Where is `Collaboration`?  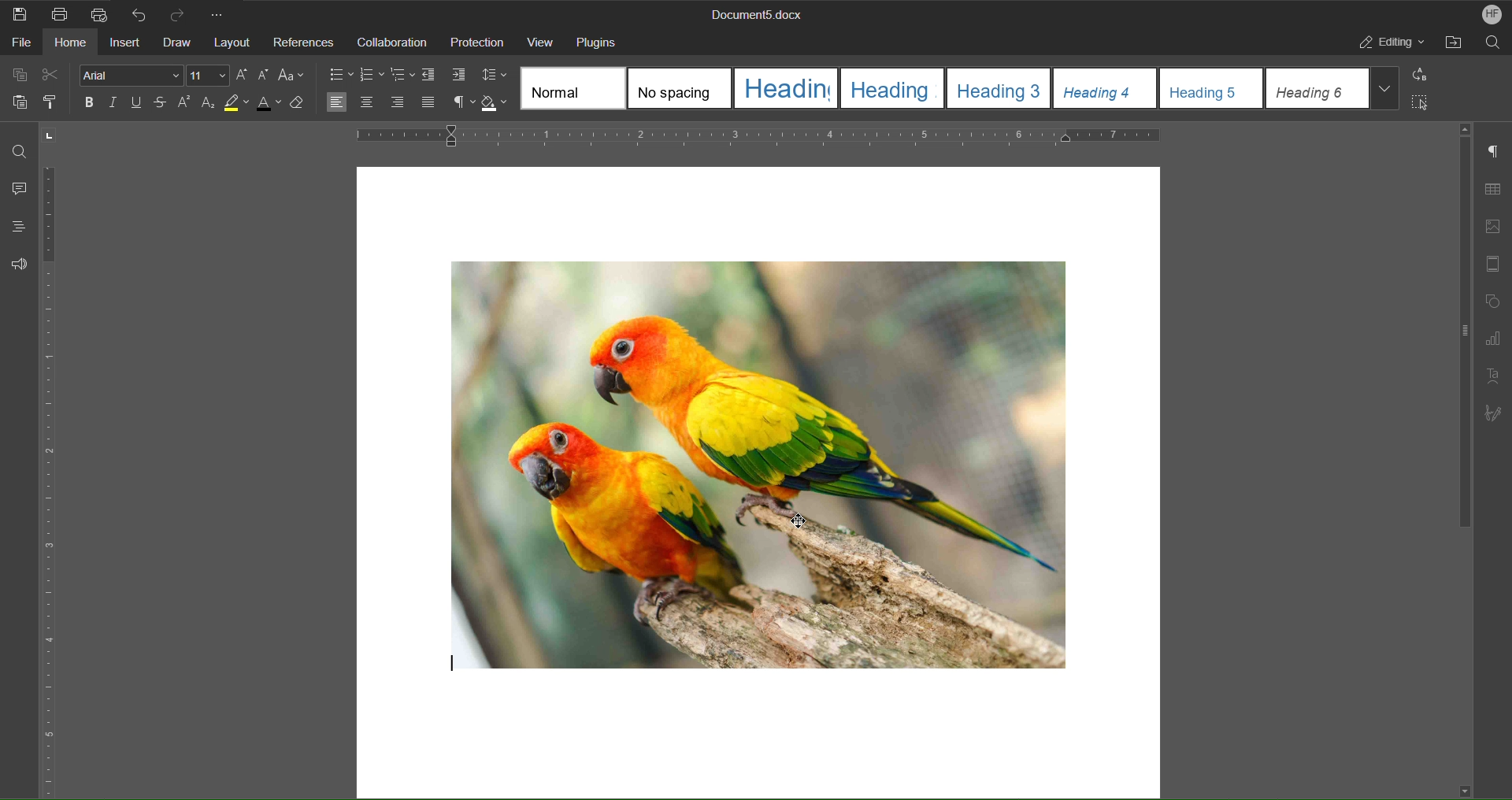
Collaboration is located at coordinates (390, 42).